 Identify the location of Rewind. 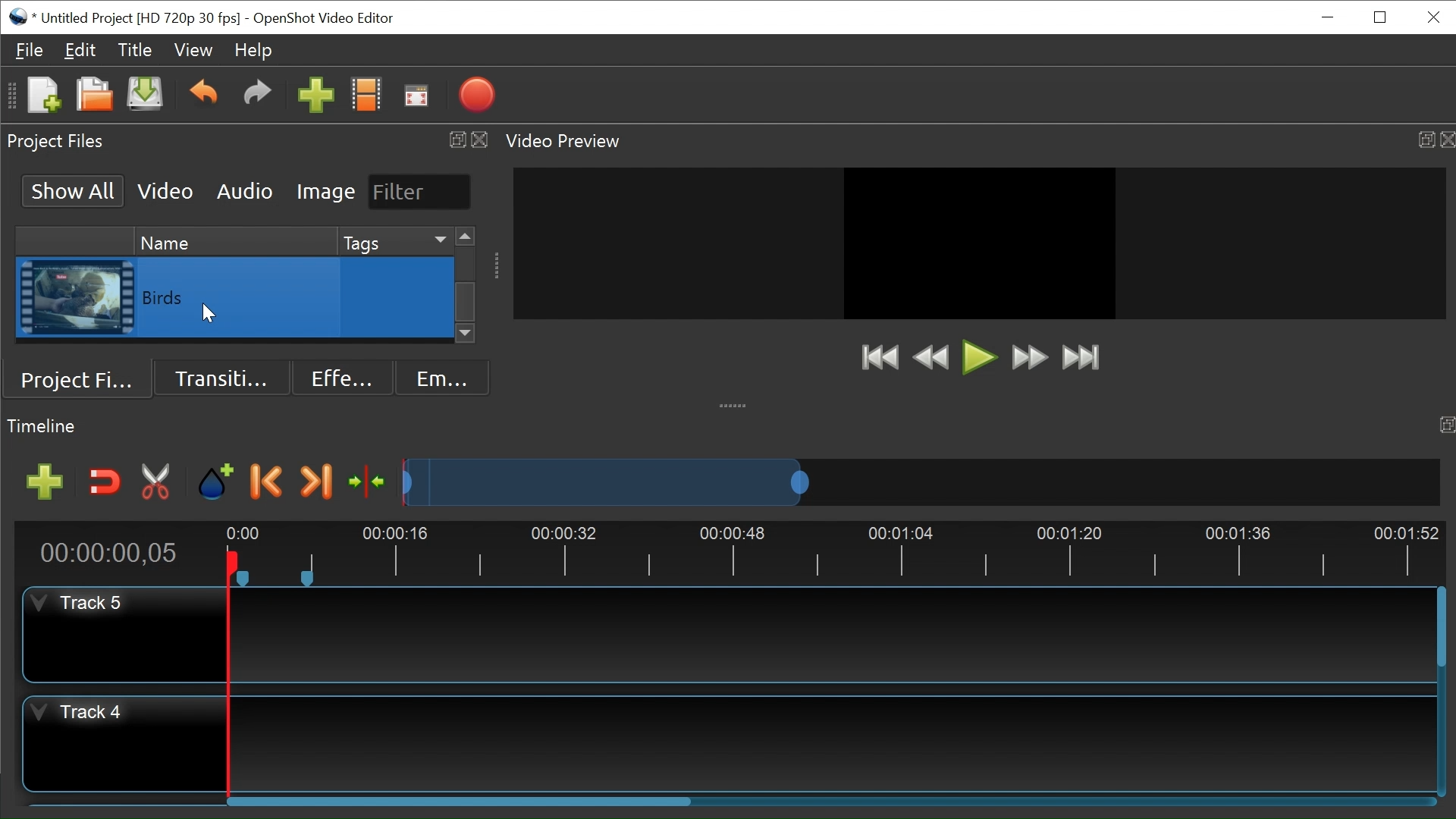
(930, 357).